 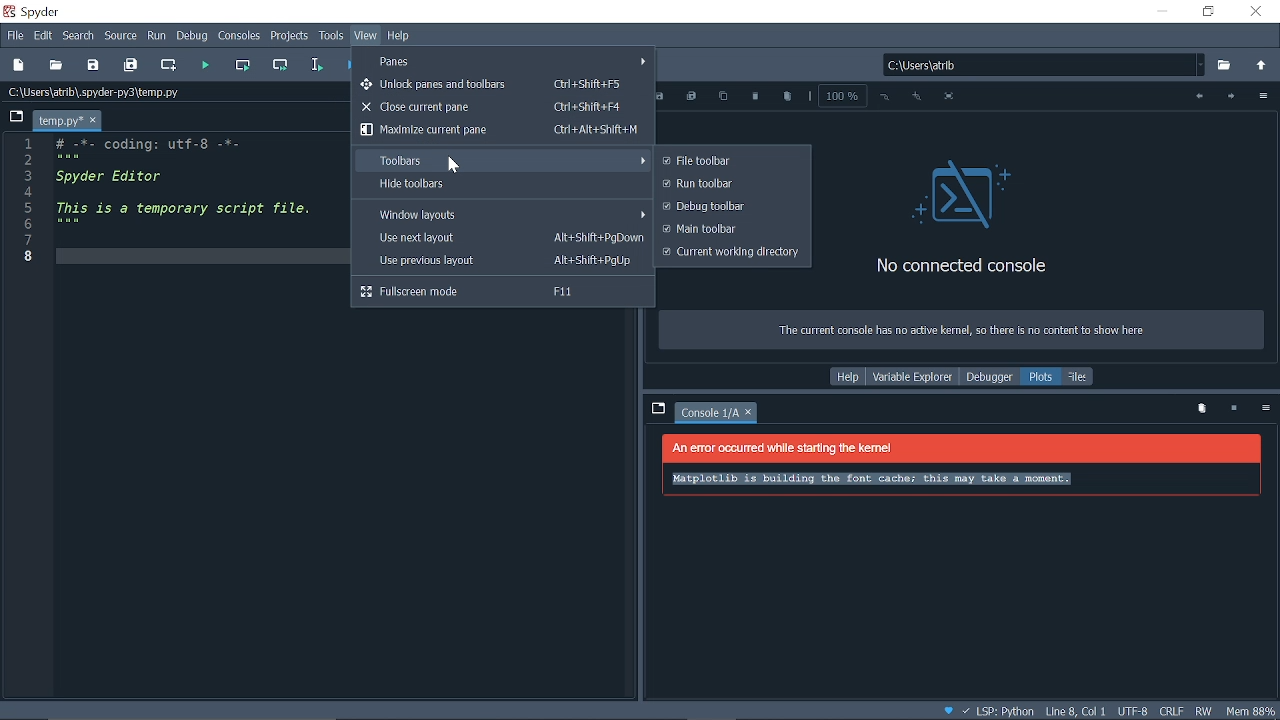 I want to click on Current tab, so click(x=58, y=120).